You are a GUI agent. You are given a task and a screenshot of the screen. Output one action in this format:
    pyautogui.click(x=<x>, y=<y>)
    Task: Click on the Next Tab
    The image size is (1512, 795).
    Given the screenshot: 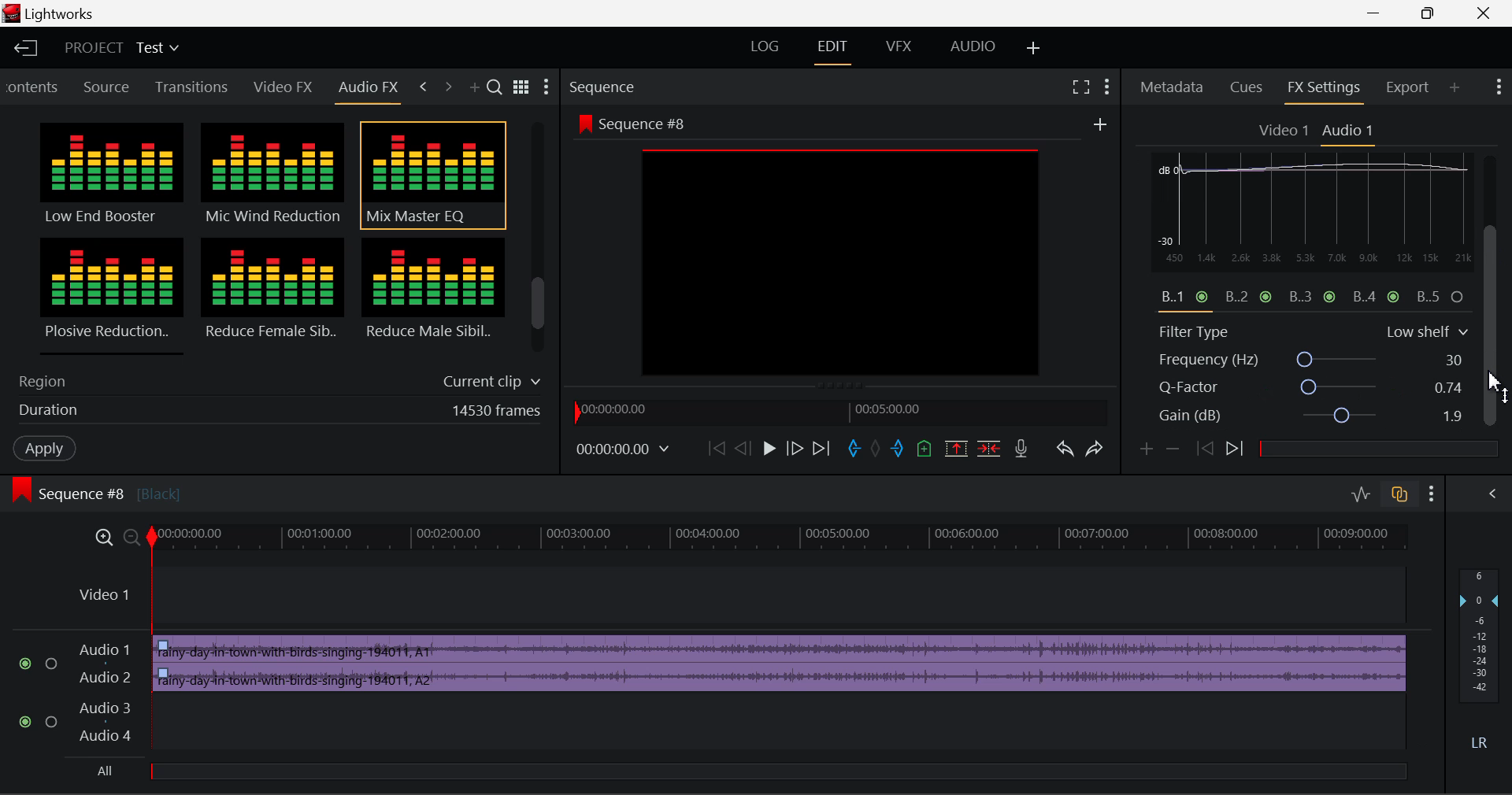 What is the action you would take?
    pyautogui.click(x=447, y=85)
    